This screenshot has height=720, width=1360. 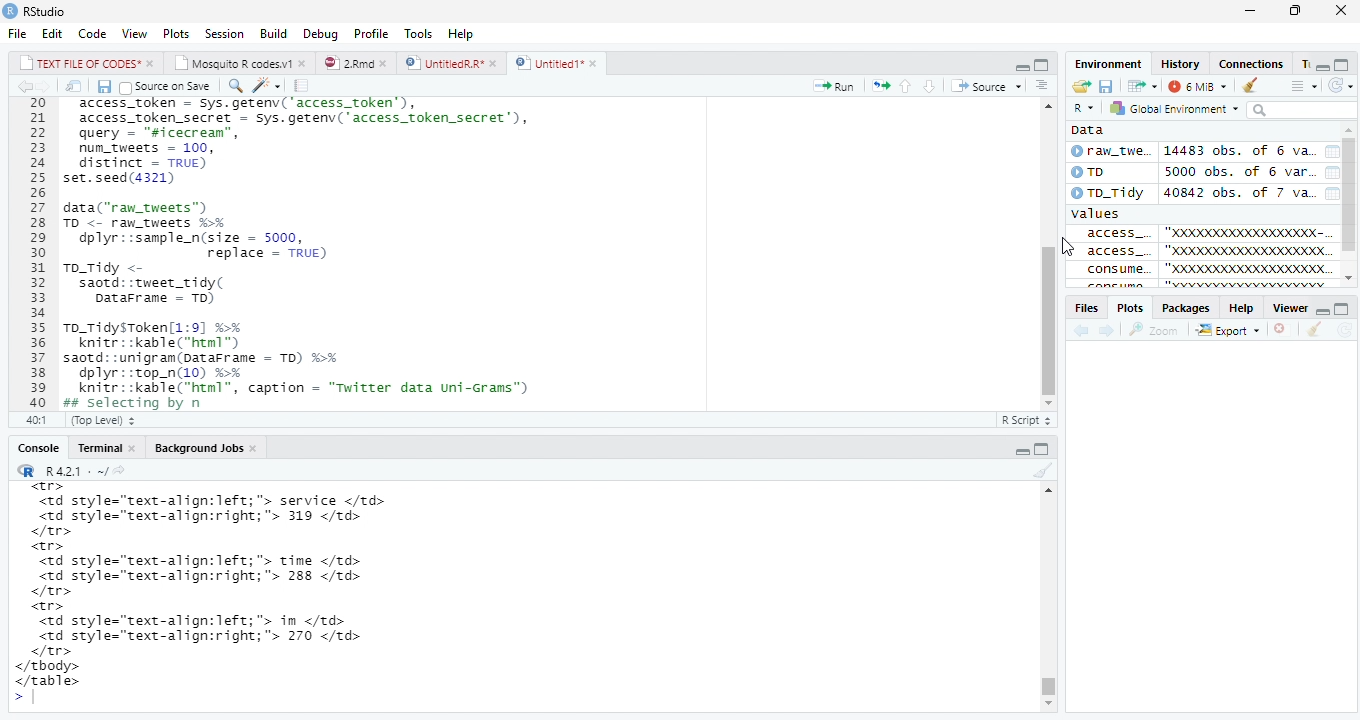 I want to click on File, so click(x=17, y=31).